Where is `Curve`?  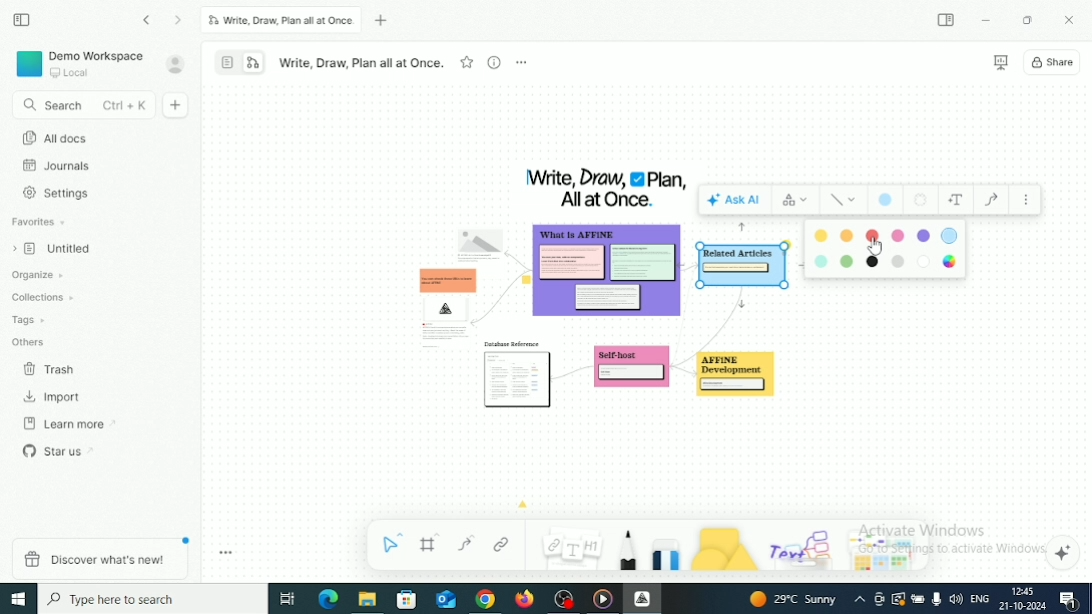 Curve is located at coordinates (466, 543).